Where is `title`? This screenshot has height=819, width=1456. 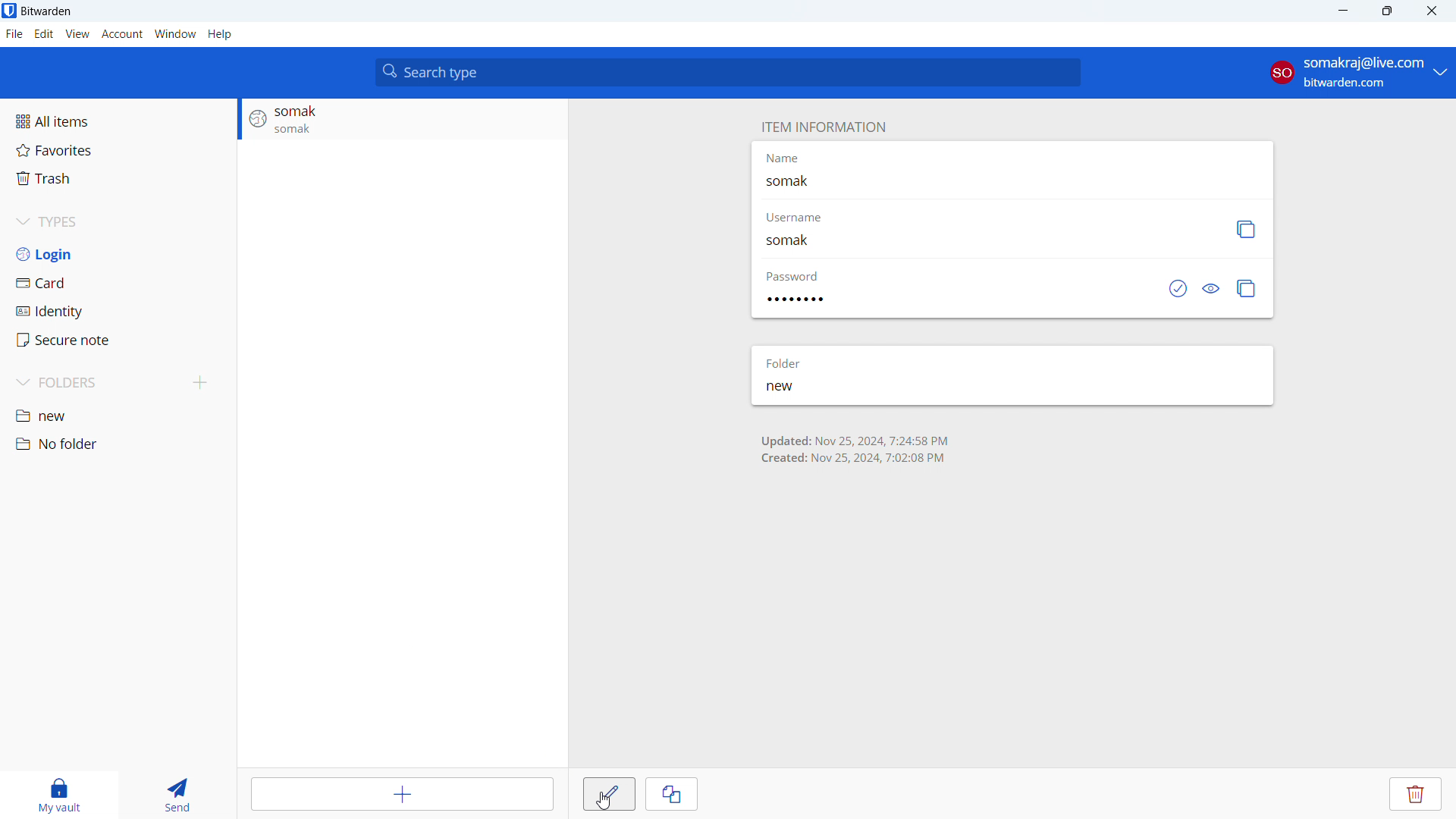 title is located at coordinates (46, 11).